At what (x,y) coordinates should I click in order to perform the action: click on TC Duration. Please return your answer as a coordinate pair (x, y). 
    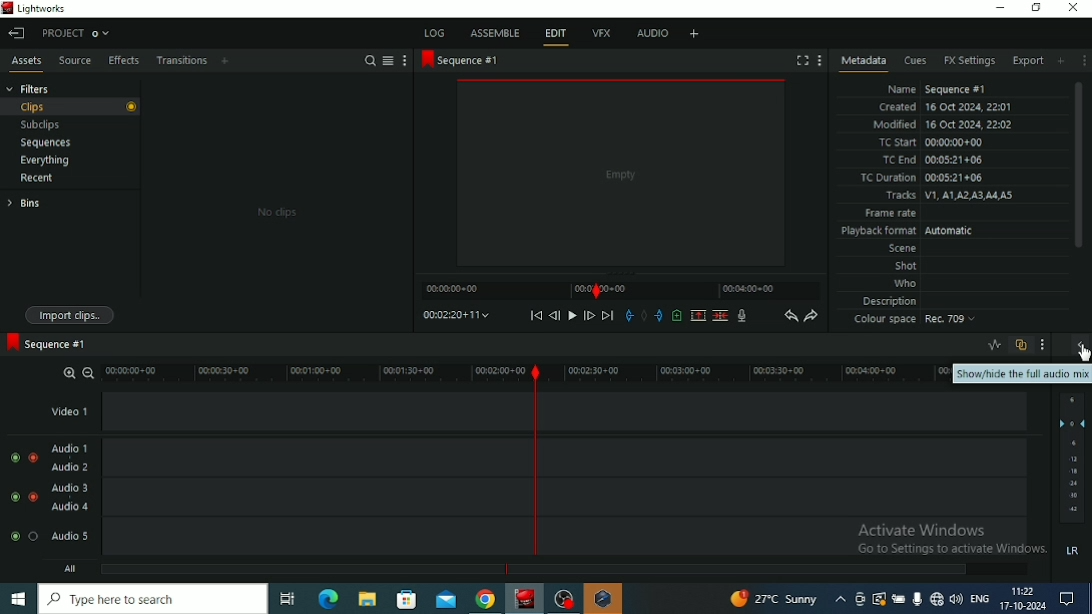
    Looking at the image, I should click on (923, 178).